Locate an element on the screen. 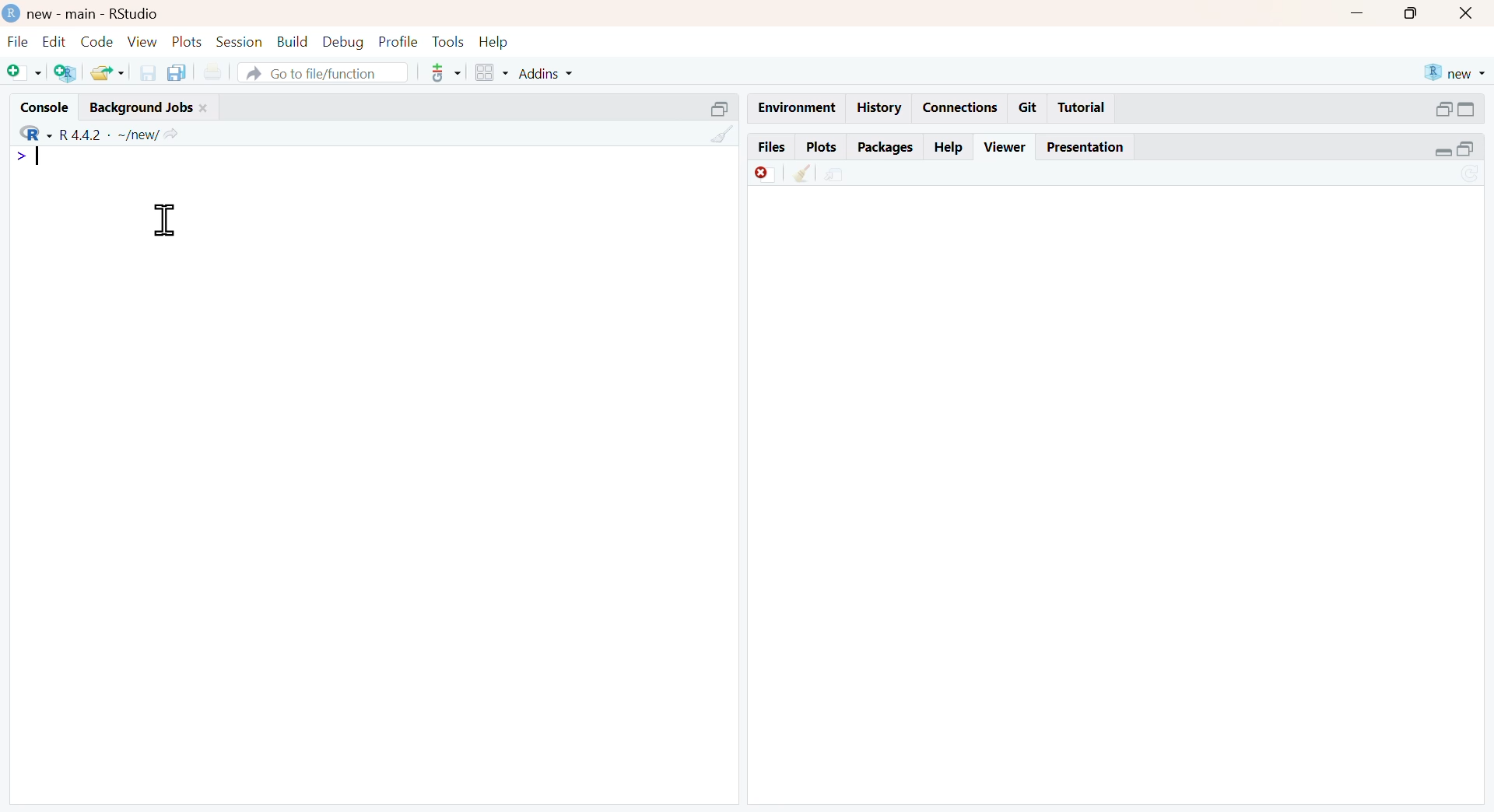 The image size is (1494, 812). Connections is located at coordinates (963, 105).